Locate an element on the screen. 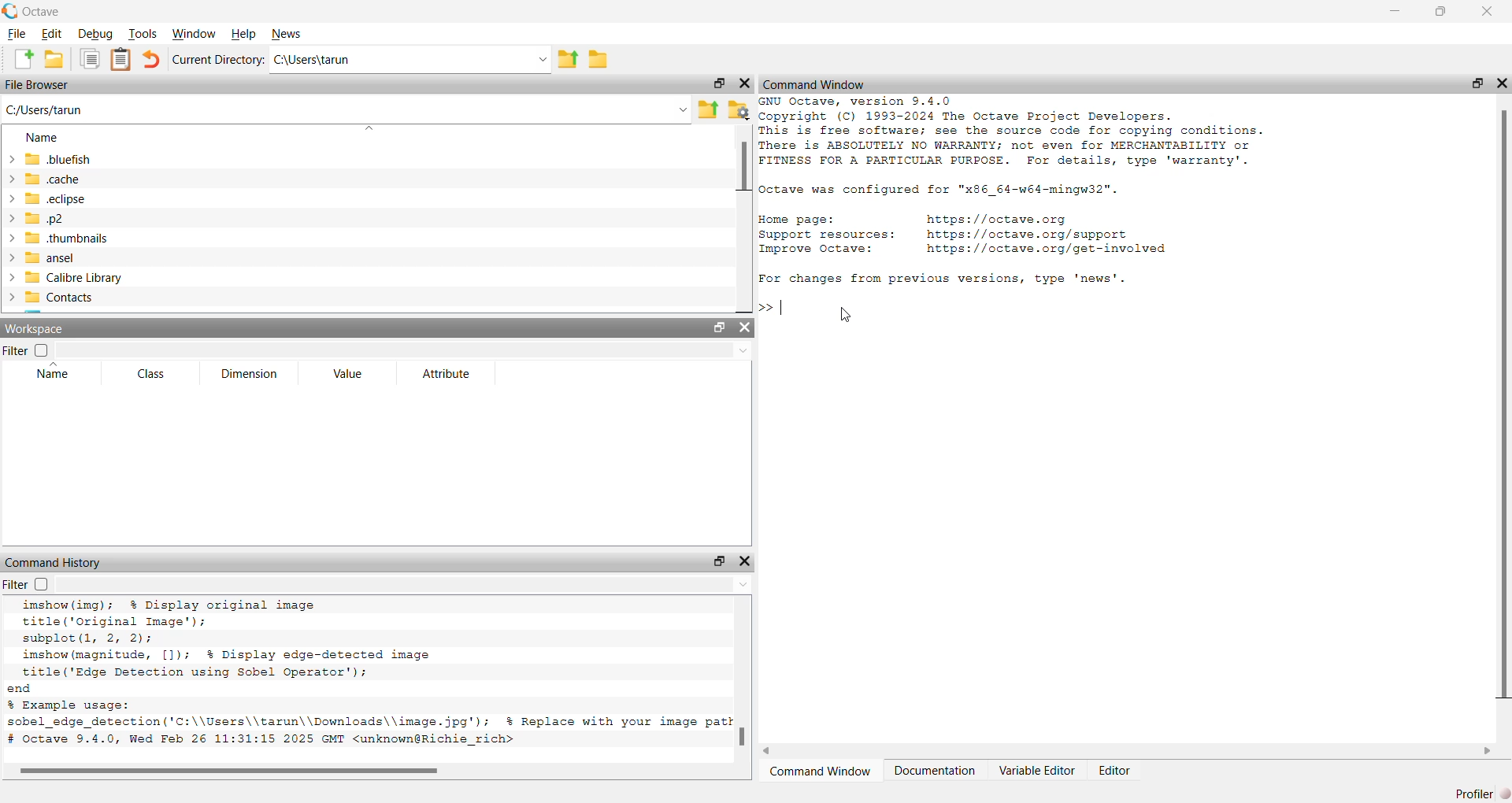 This screenshot has width=1512, height=803. Name is located at coordinates (43, 138).